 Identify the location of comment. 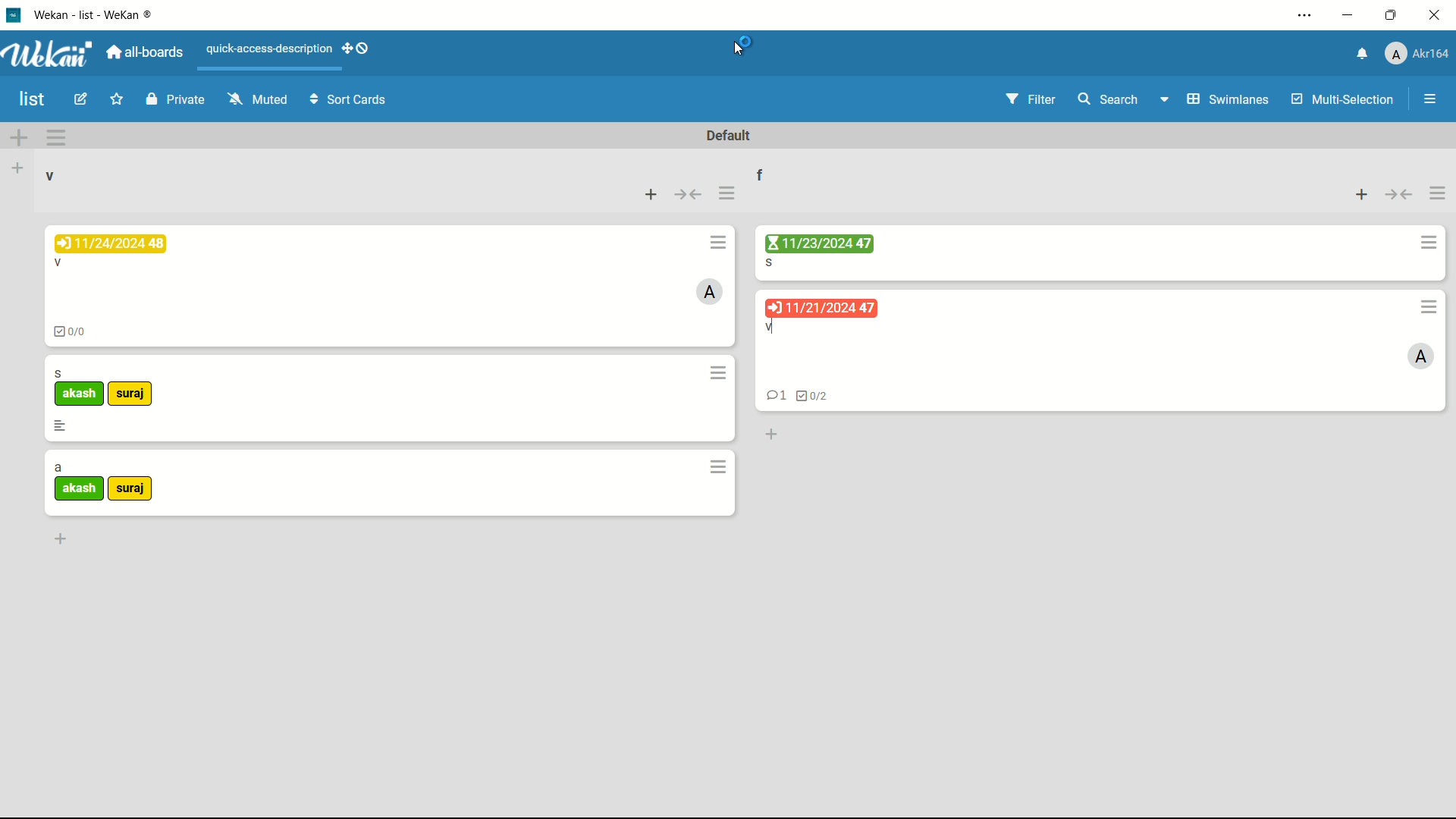
(776, 394).